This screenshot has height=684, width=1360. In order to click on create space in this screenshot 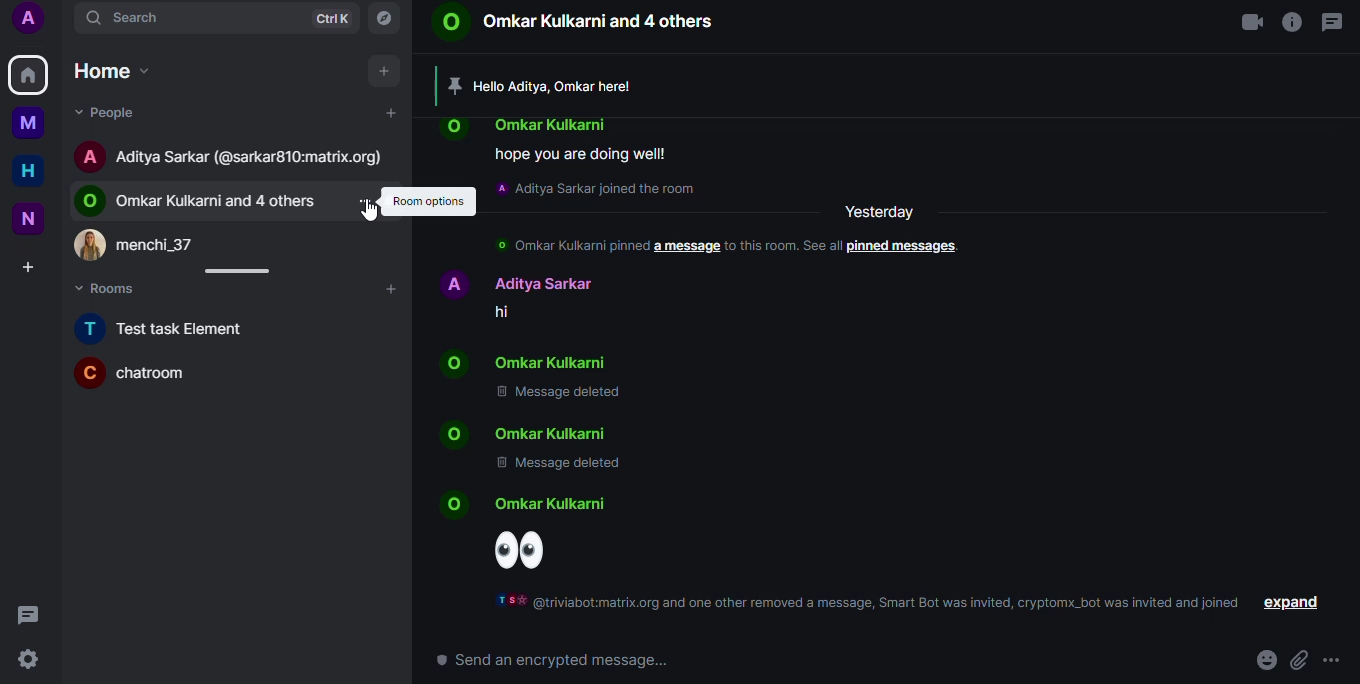, I will do `click(32, 267)`.